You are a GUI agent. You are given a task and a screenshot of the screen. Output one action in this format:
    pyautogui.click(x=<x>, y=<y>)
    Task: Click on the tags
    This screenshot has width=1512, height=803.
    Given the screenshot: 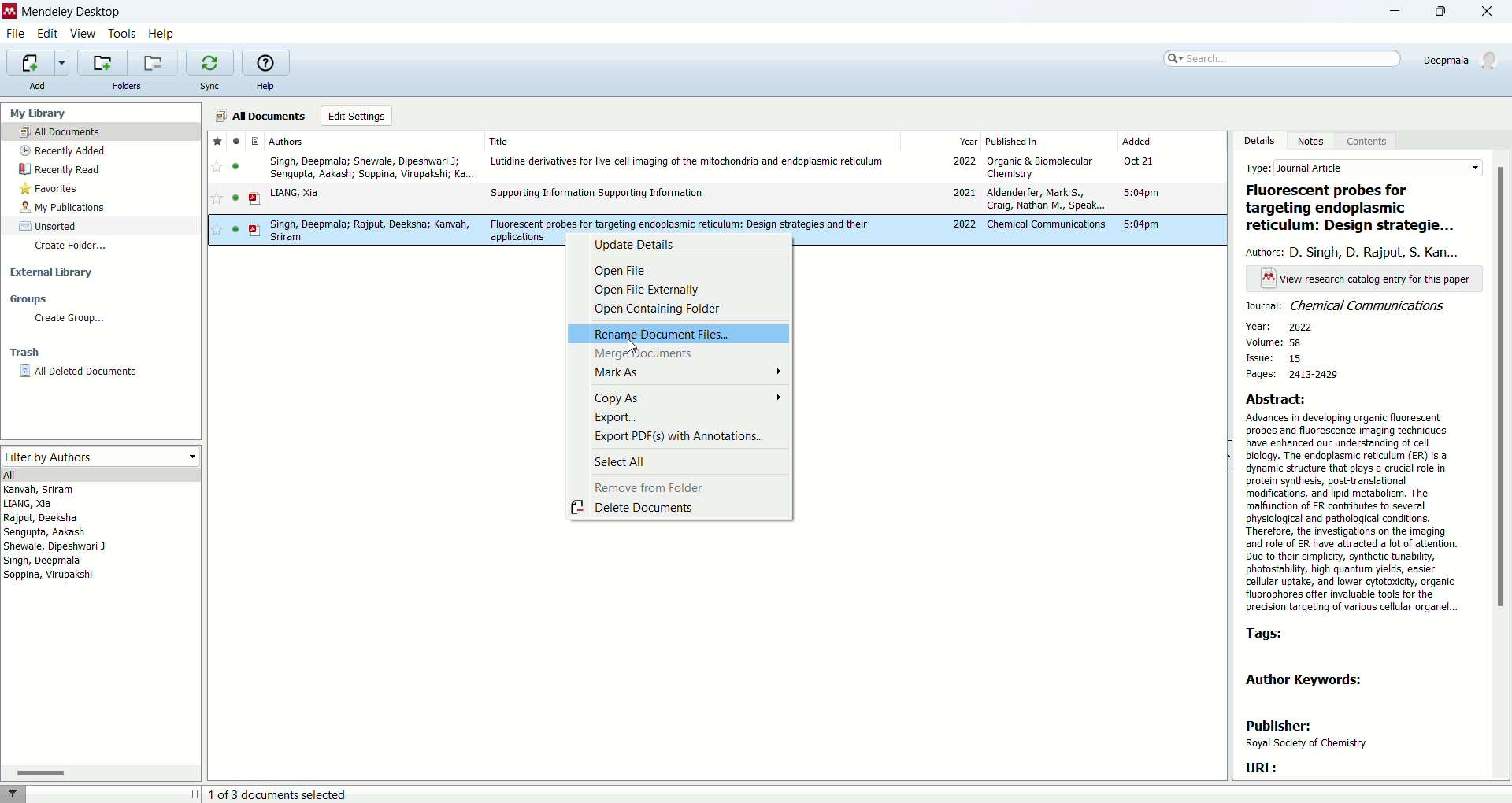 What is the action you would take?
    pyautogui.click(x=1273, y=635)
    